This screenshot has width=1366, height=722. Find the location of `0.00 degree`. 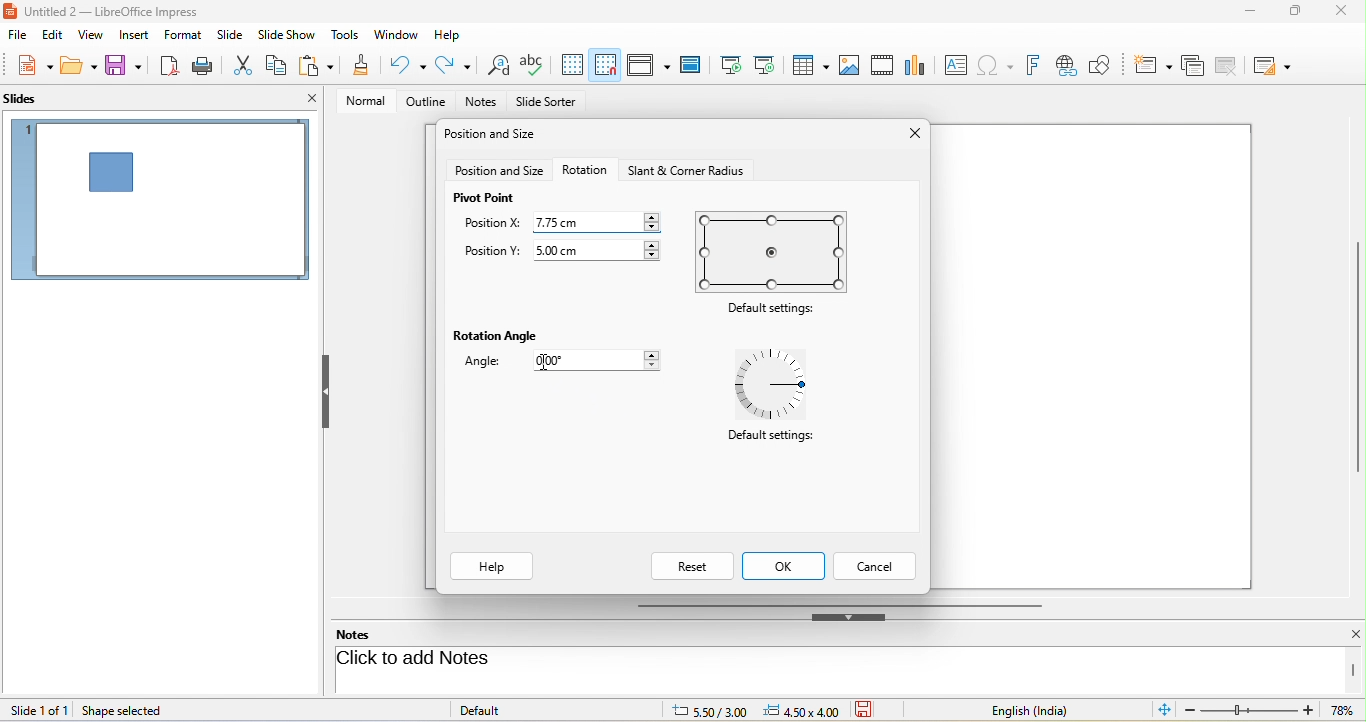

0.00 degree is located at coordinates (608, 360).